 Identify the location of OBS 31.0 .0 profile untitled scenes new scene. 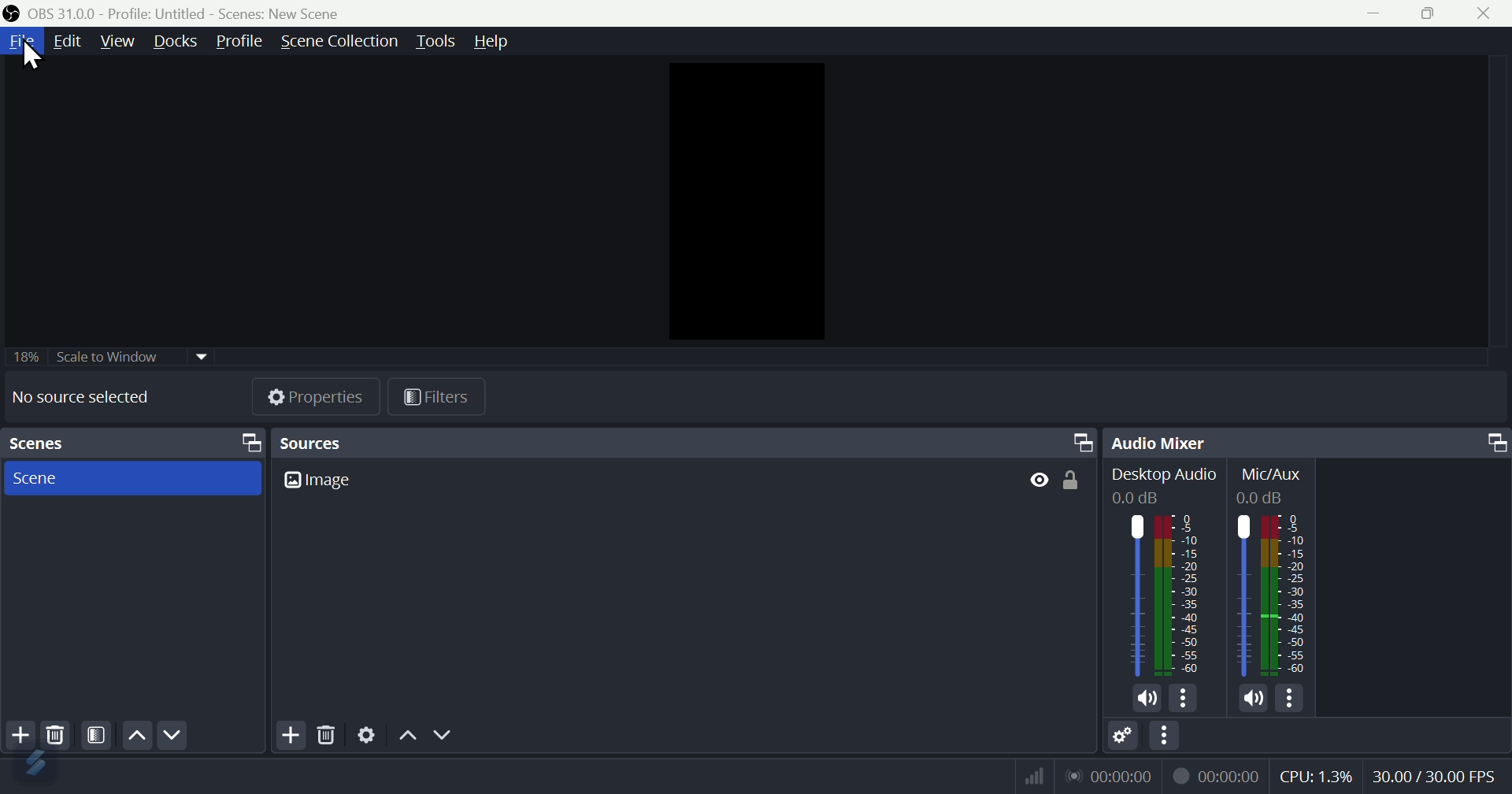
(221, 12).